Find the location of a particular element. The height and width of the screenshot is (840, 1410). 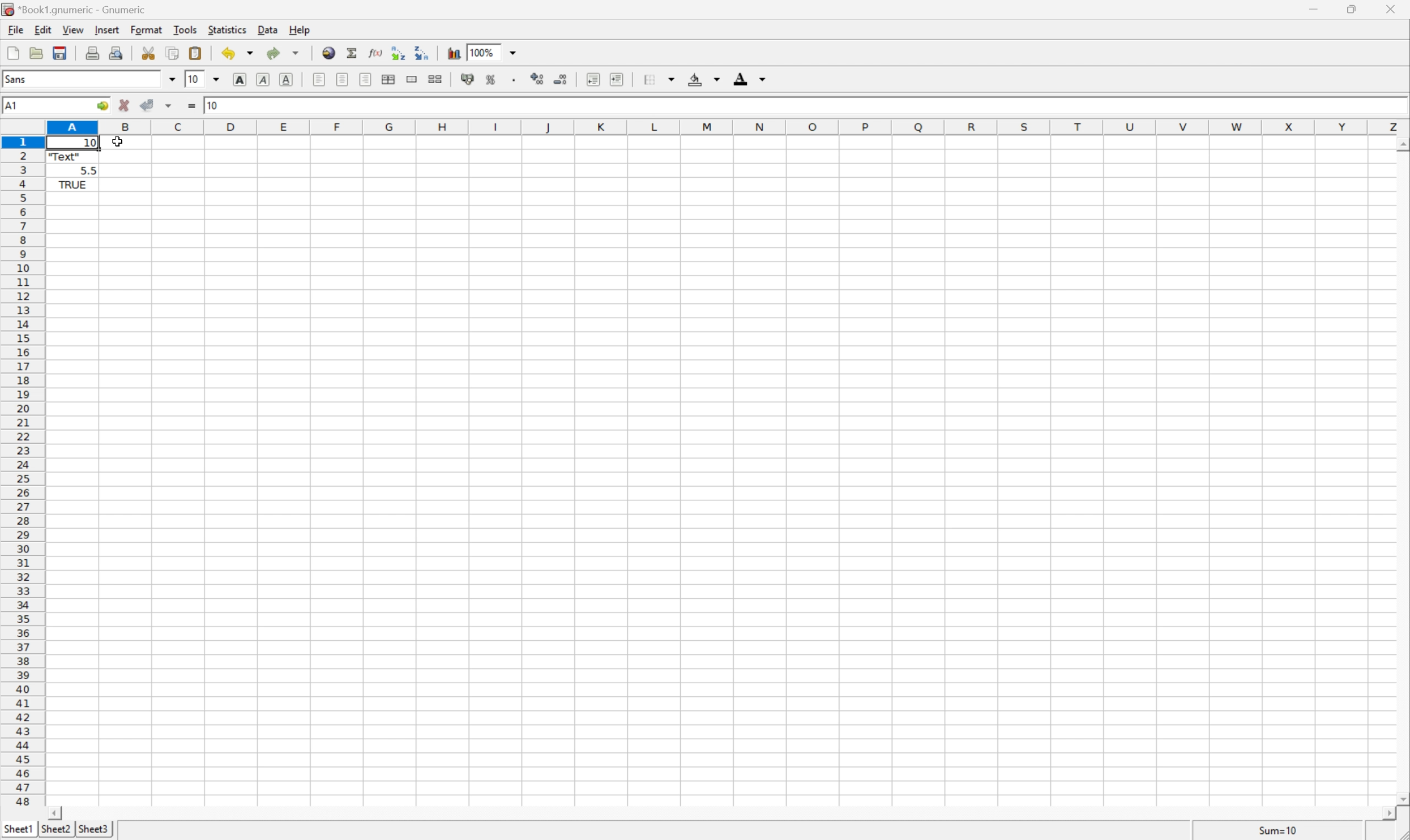

Redo is located at coordinates (284, 52).